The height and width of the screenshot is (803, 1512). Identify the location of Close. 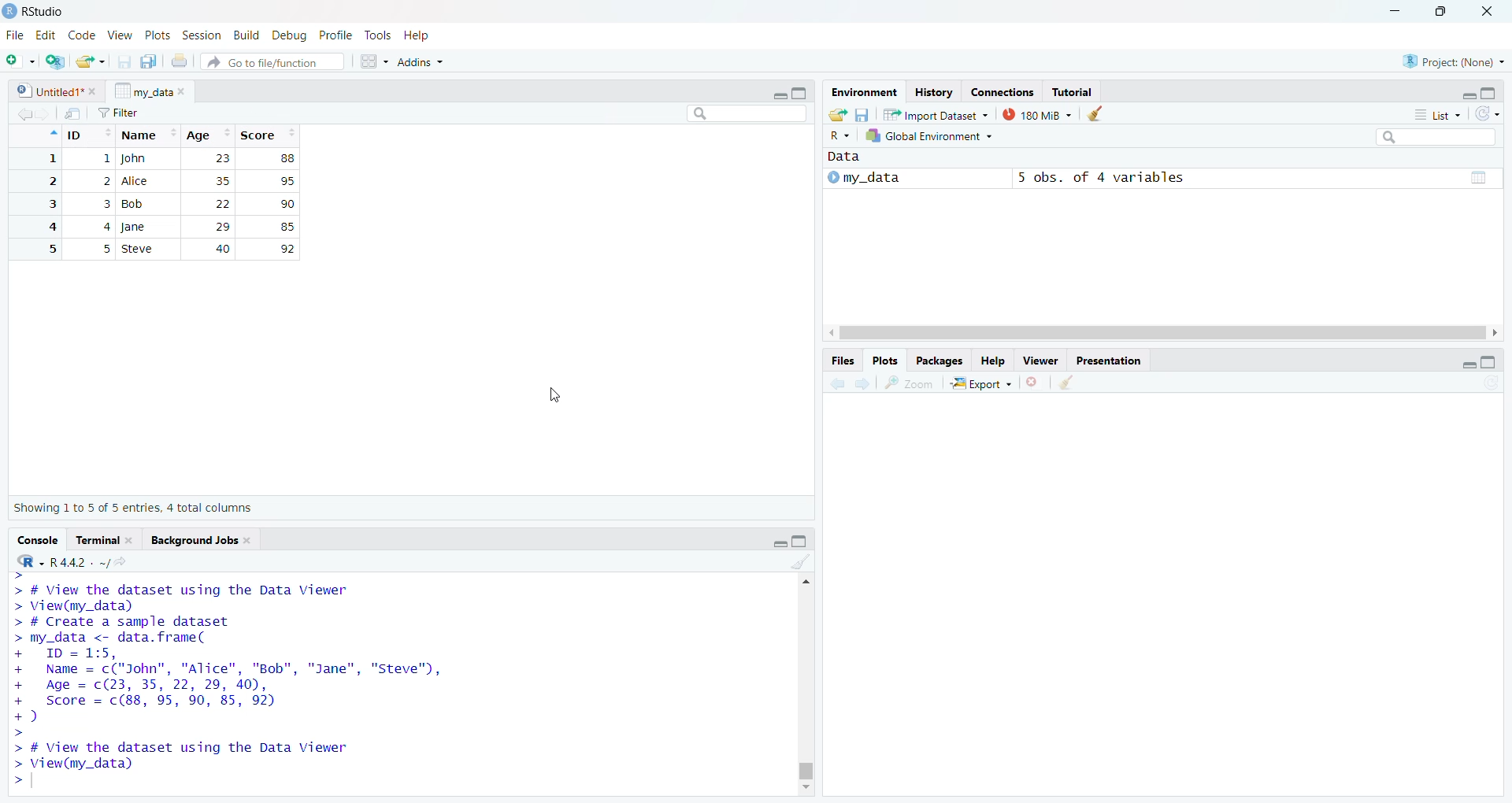
(1485, 12).